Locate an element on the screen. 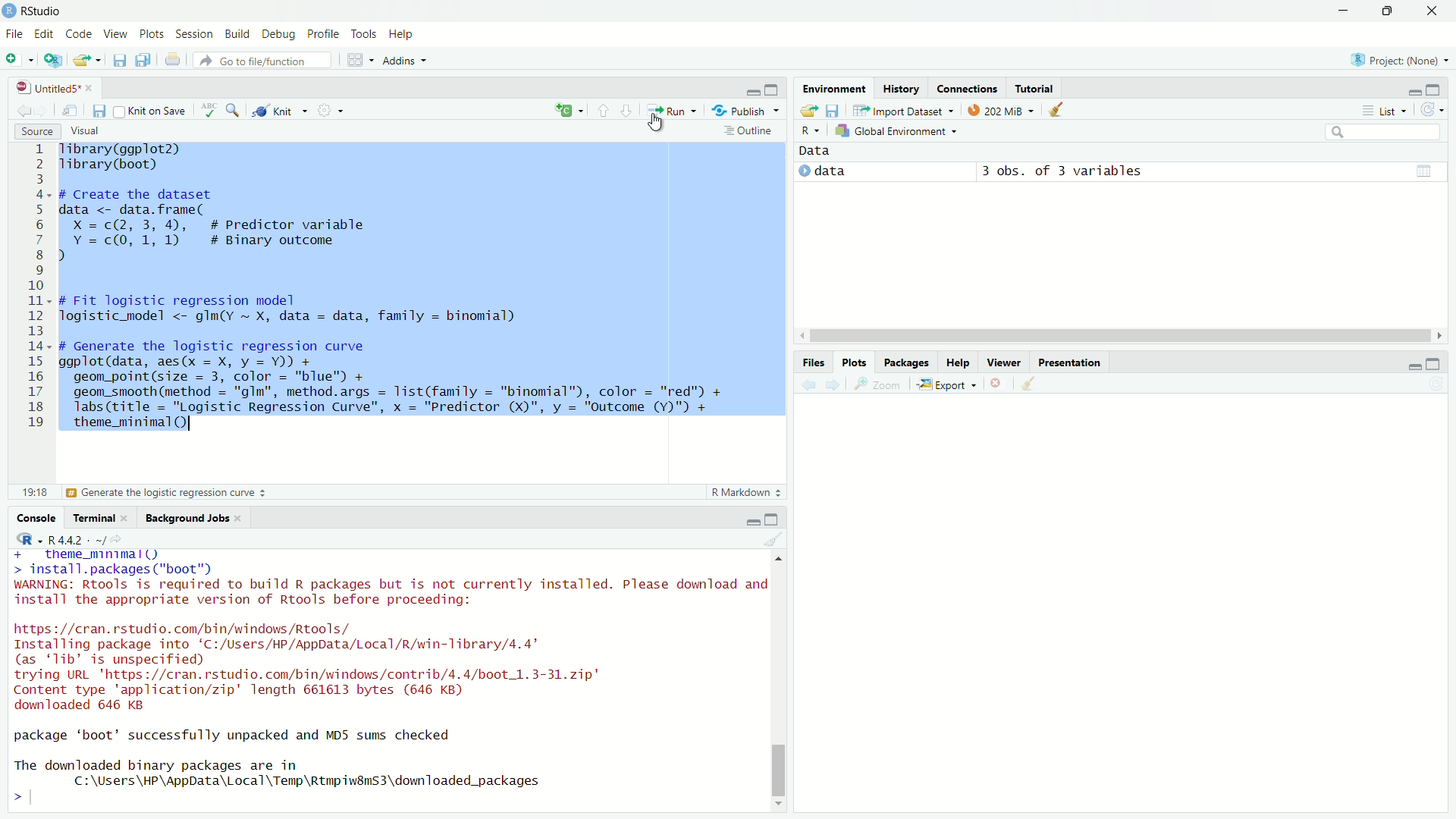 This screenshot has width=1456, height=819. 202 MiB is located at coordinates (1001, 108).